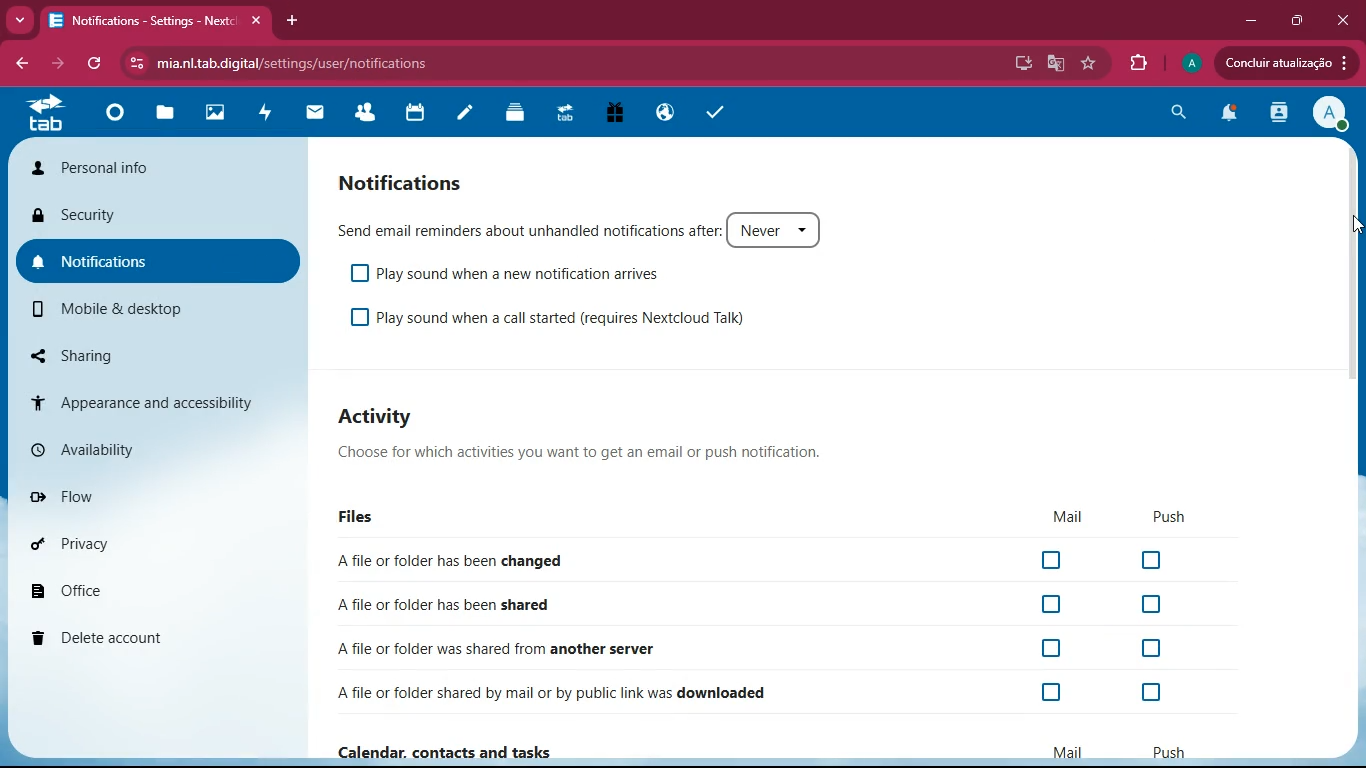 Image resolution: width=1366 pixels, height=768 pixels. Describe the element at coordinates (1052, 691) in the screenshot. I see `off` at that location.